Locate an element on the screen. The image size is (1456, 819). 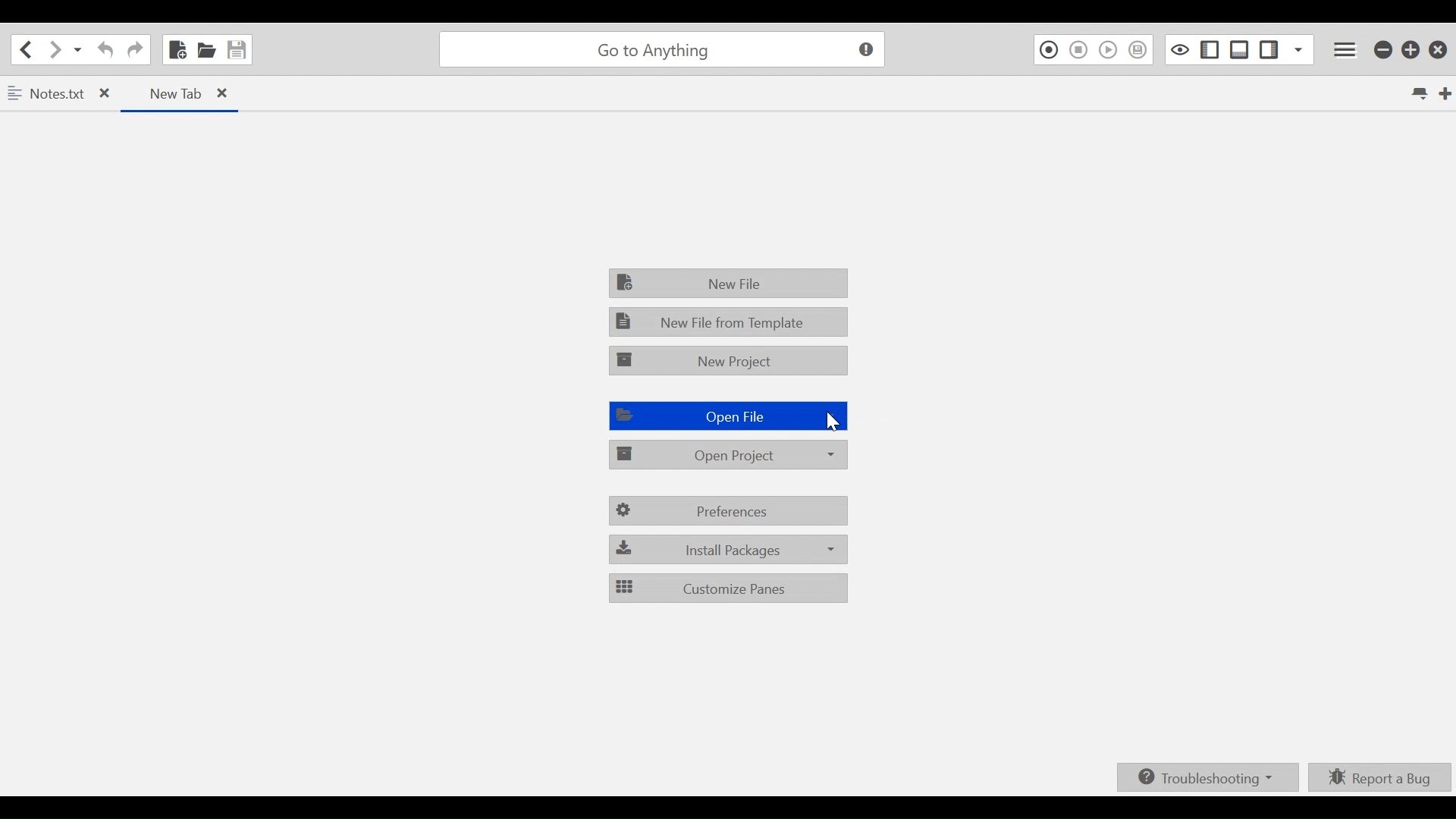
Cursor is located at coordinates (830, 423).